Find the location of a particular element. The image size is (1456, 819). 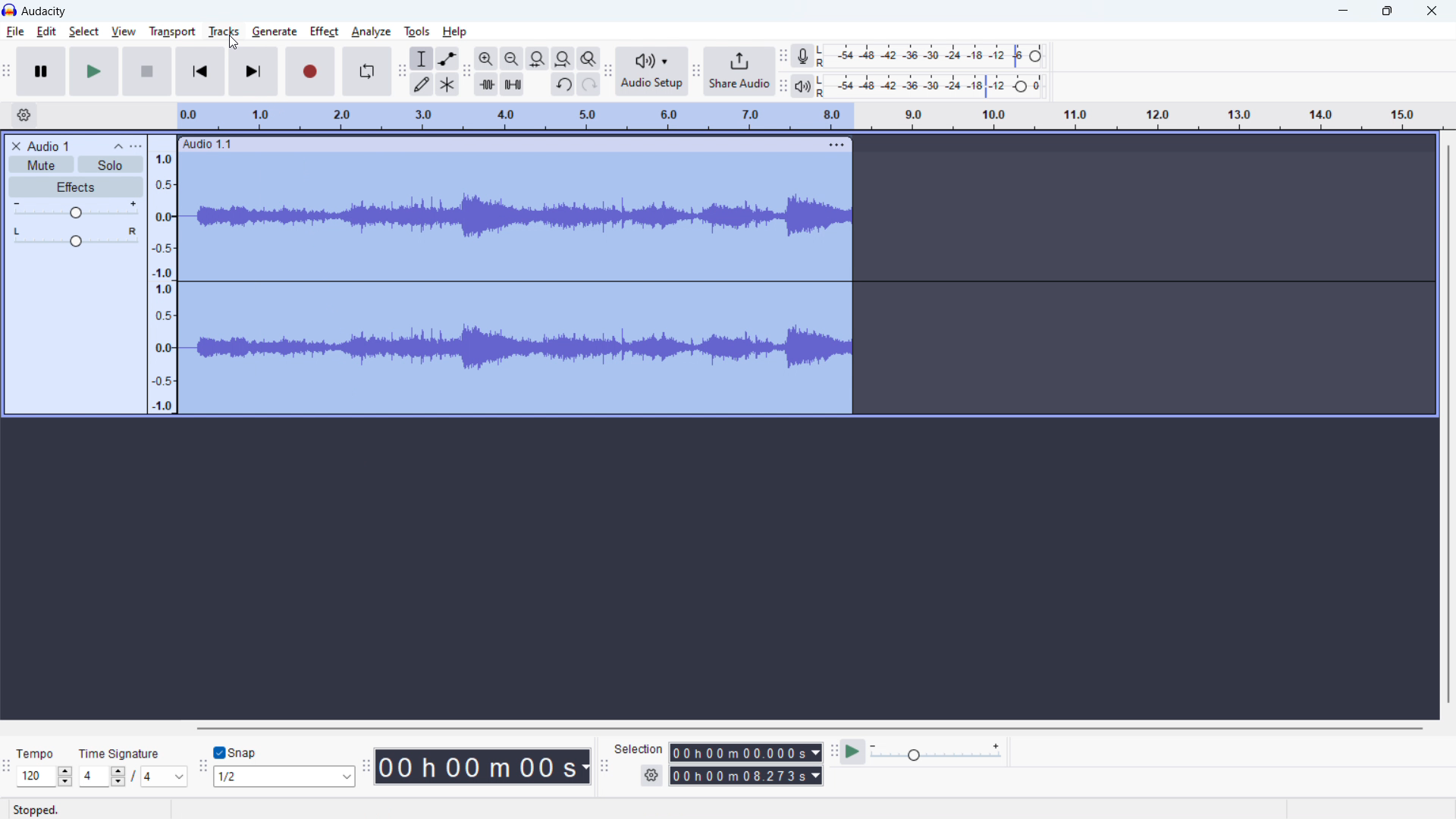

vertical scrollbar is located at coordinates (1449, 425).